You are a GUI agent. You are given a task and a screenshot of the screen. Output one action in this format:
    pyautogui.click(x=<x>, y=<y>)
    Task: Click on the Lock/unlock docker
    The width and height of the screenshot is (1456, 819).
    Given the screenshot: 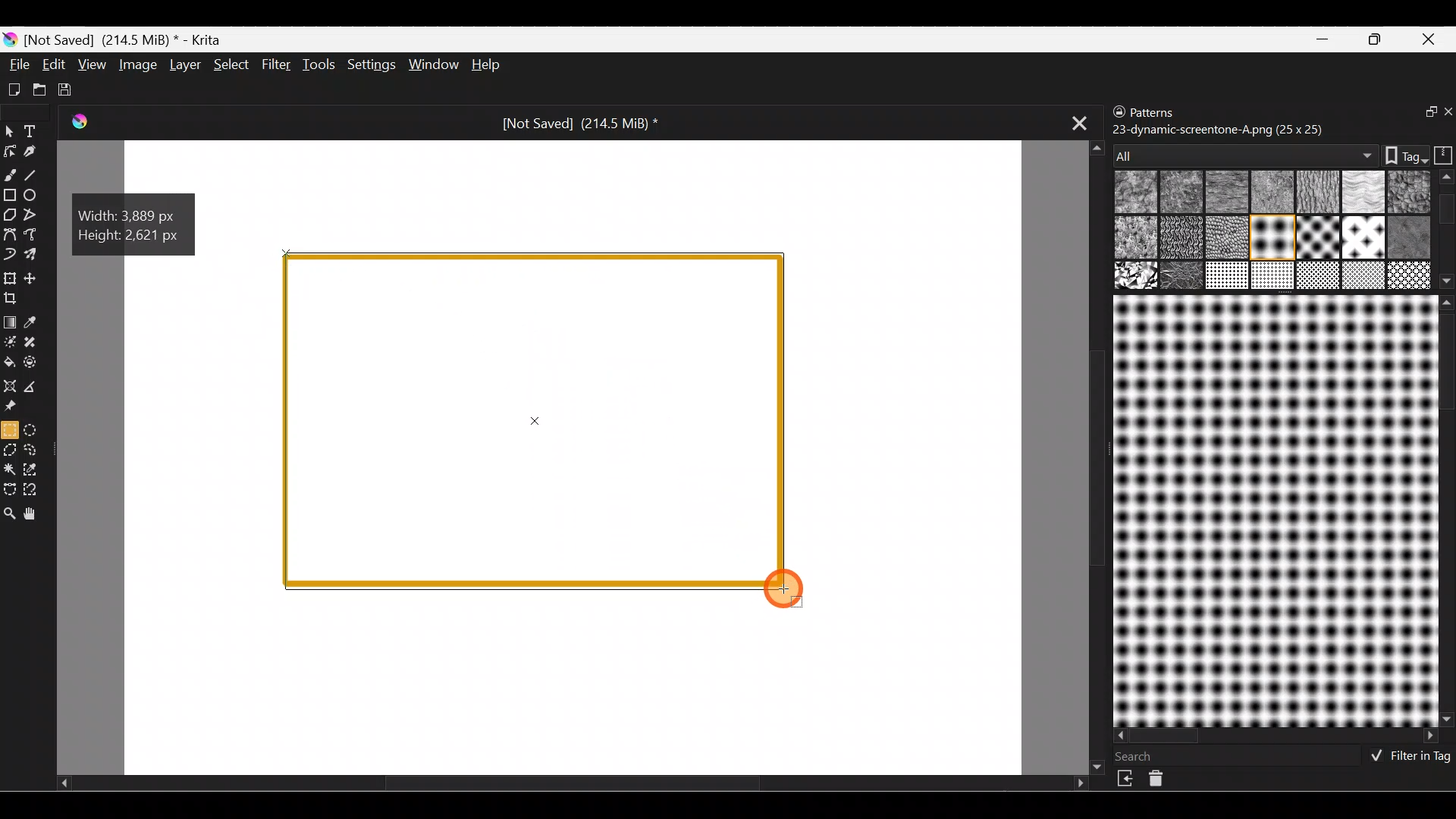 What is the action you would take?
    pyautogui.click(x=1116, y=113)
    